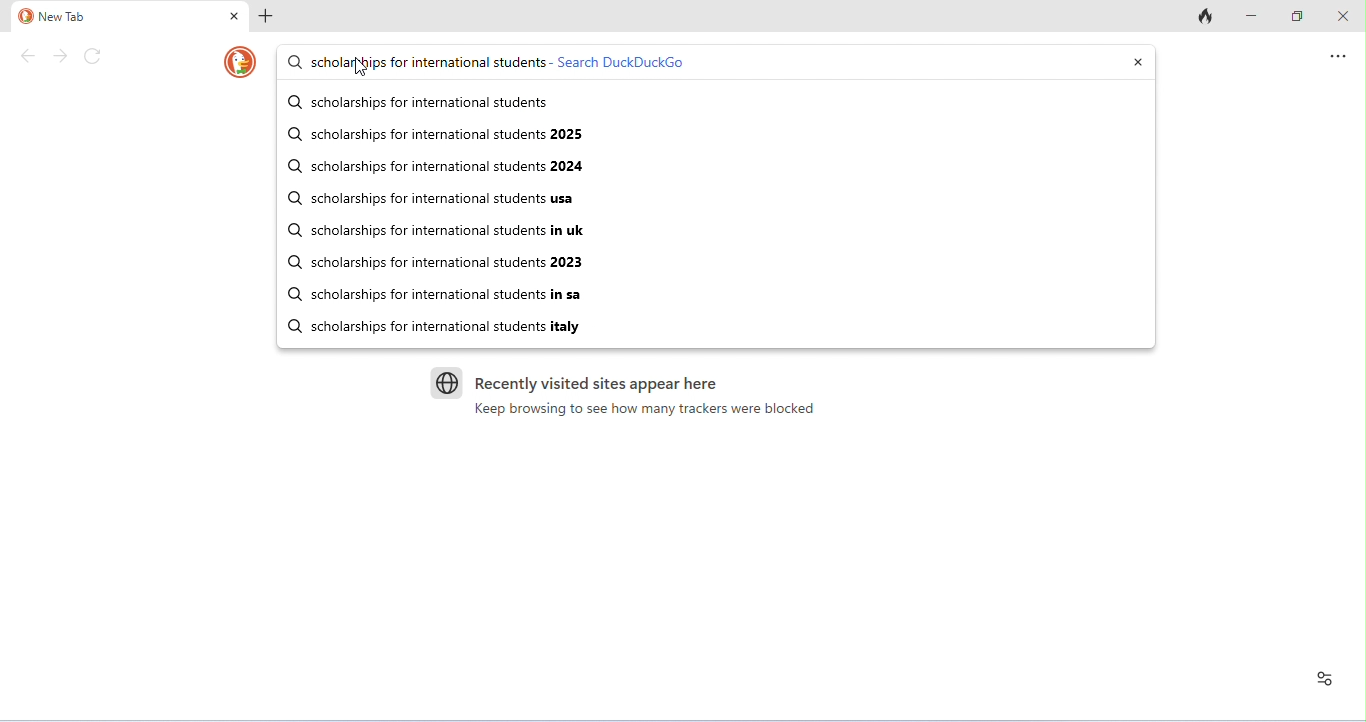  Describe the element at coordinates (1297, 14) in the screenshot. I see `maximize` at that location.